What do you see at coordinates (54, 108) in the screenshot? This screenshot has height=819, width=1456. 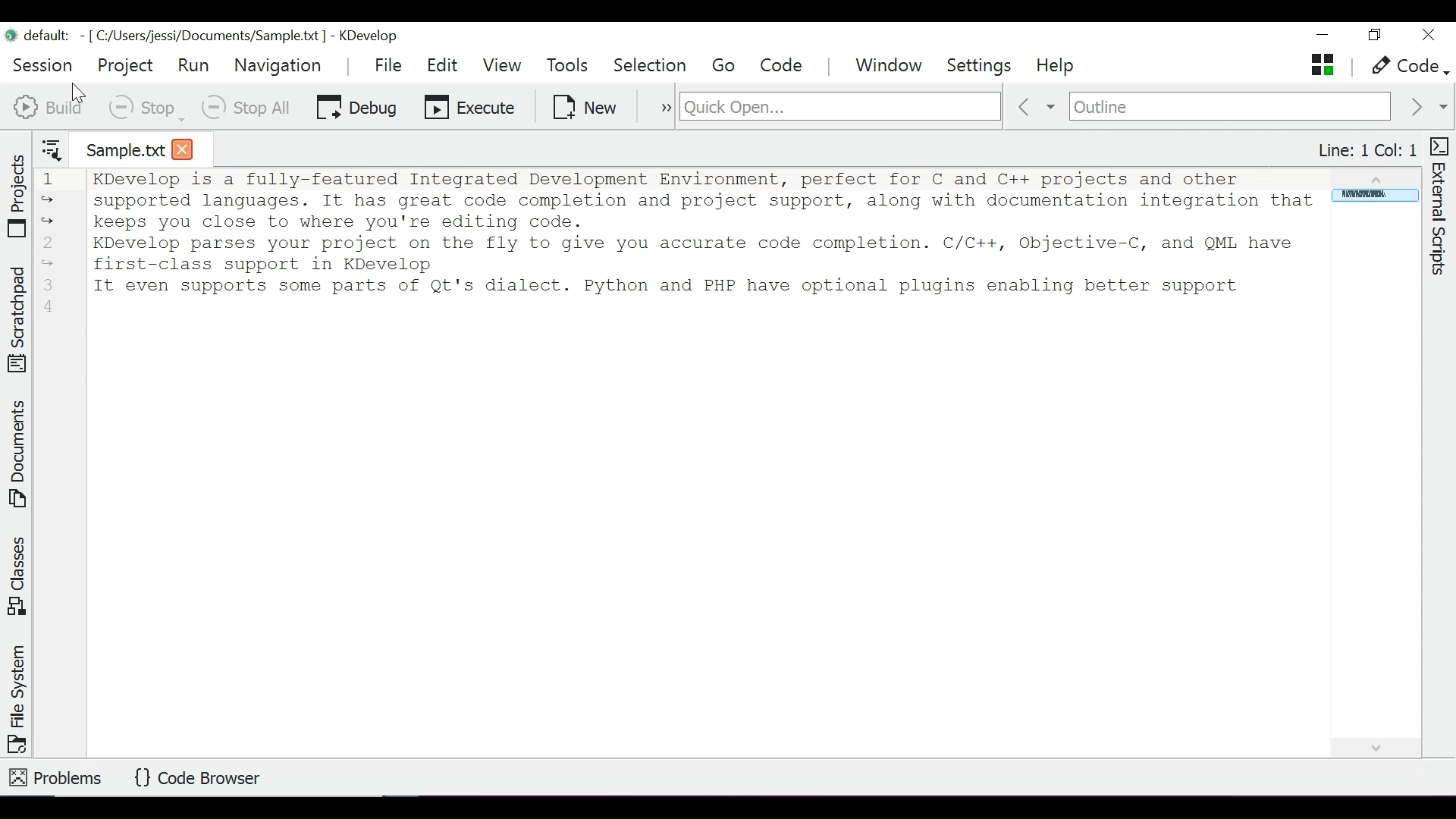 I see `Build` at bounding box center [54, 108].